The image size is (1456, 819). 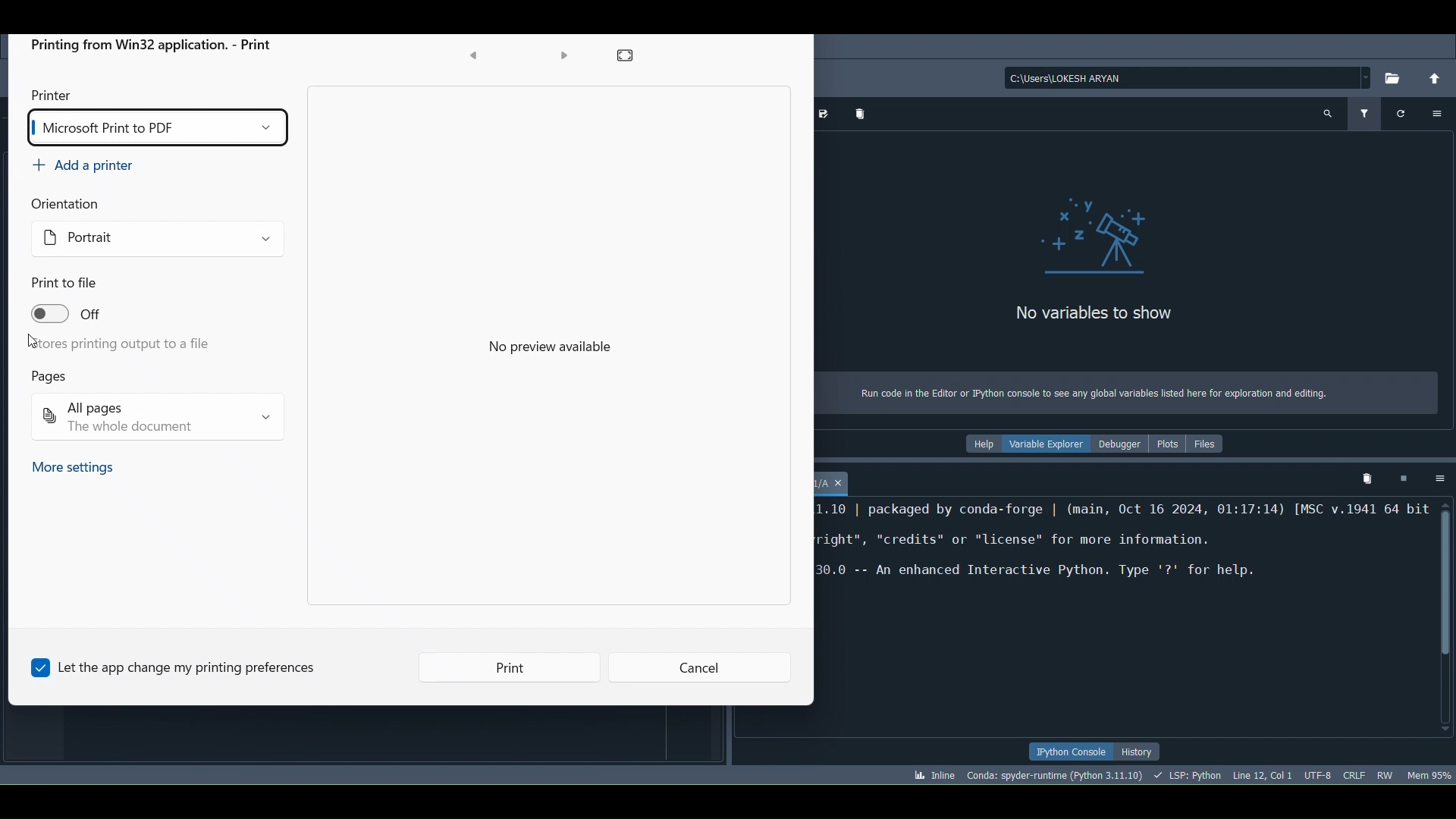 I want to click on Filter variables, so click(x=1366, y=117).